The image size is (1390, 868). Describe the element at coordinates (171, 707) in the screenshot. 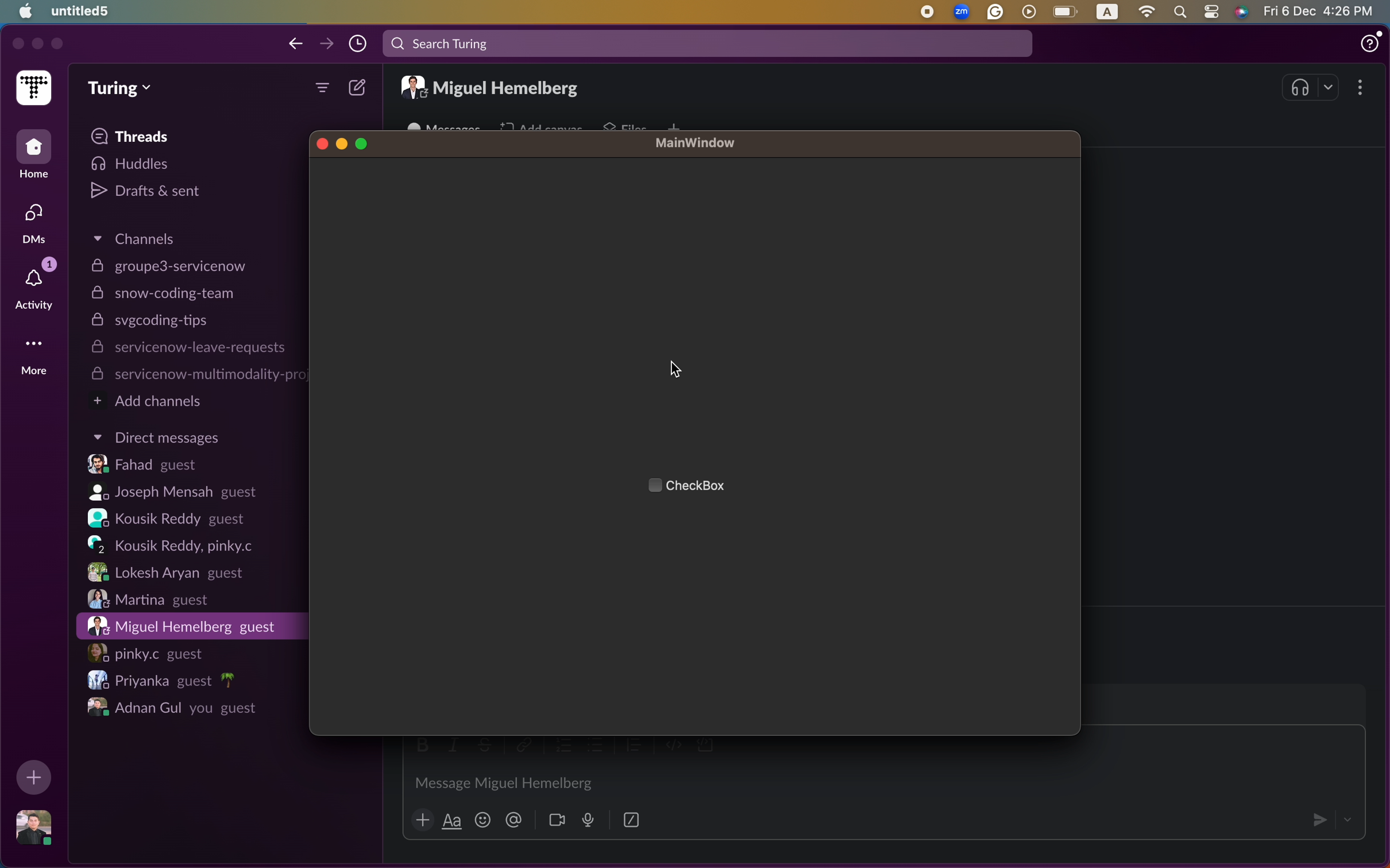

I see `Adnan Gul you guest` at that location.